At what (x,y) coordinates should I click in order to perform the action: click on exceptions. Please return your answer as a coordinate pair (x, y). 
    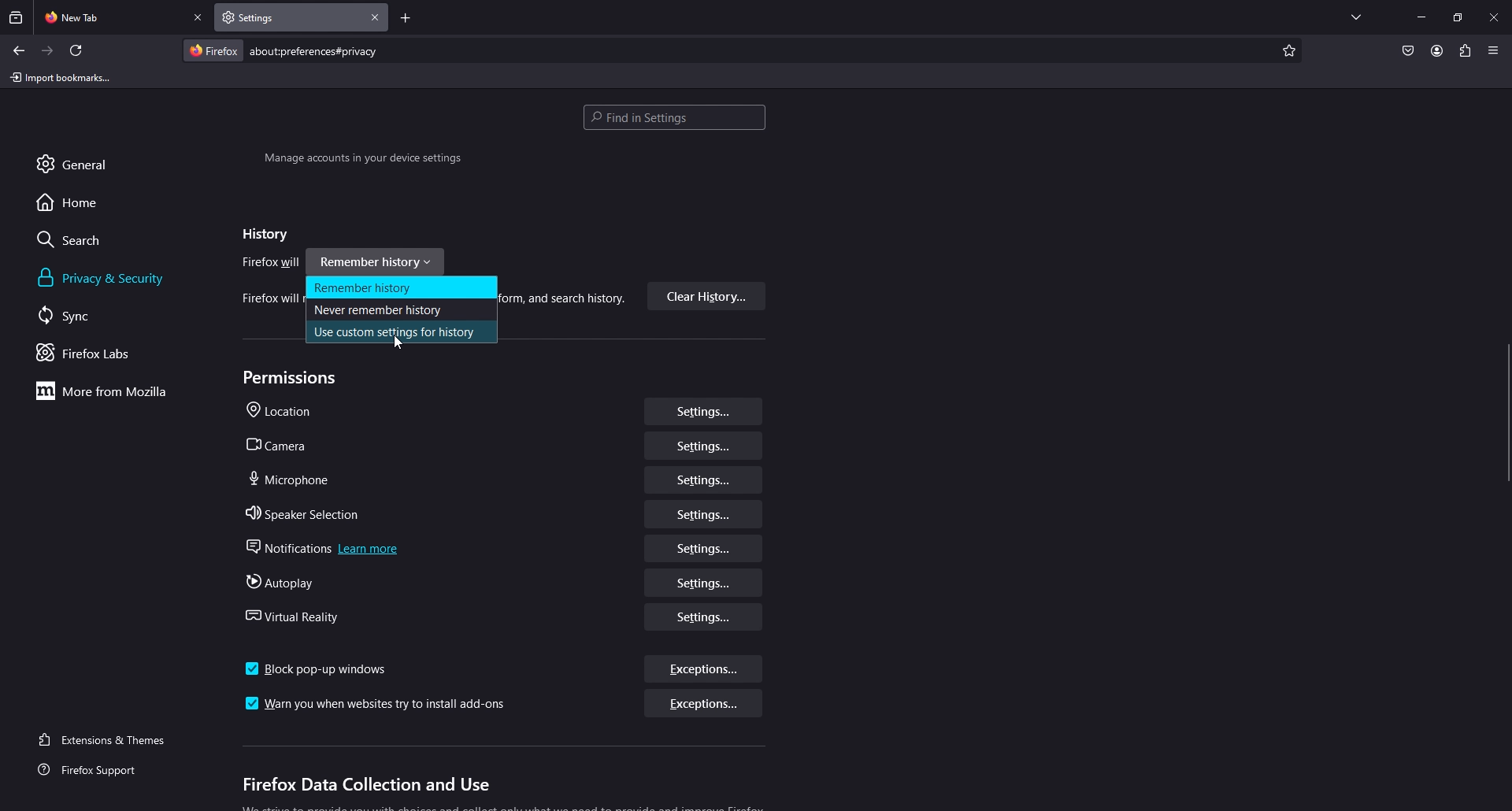
    Looking at the image, I should click on (706, 671).